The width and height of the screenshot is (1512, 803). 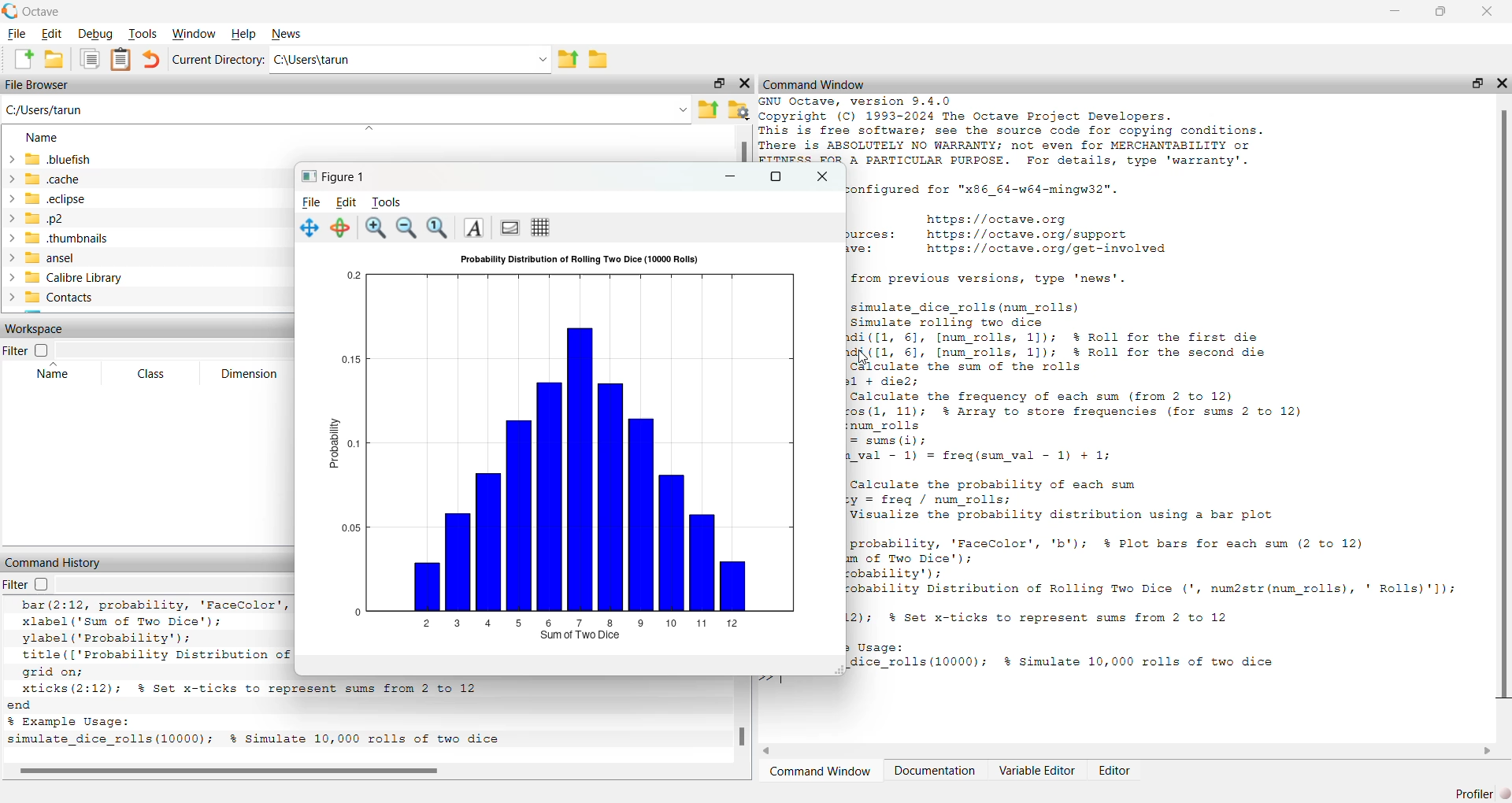 I want to click on Class, so click(x=153, y=375).